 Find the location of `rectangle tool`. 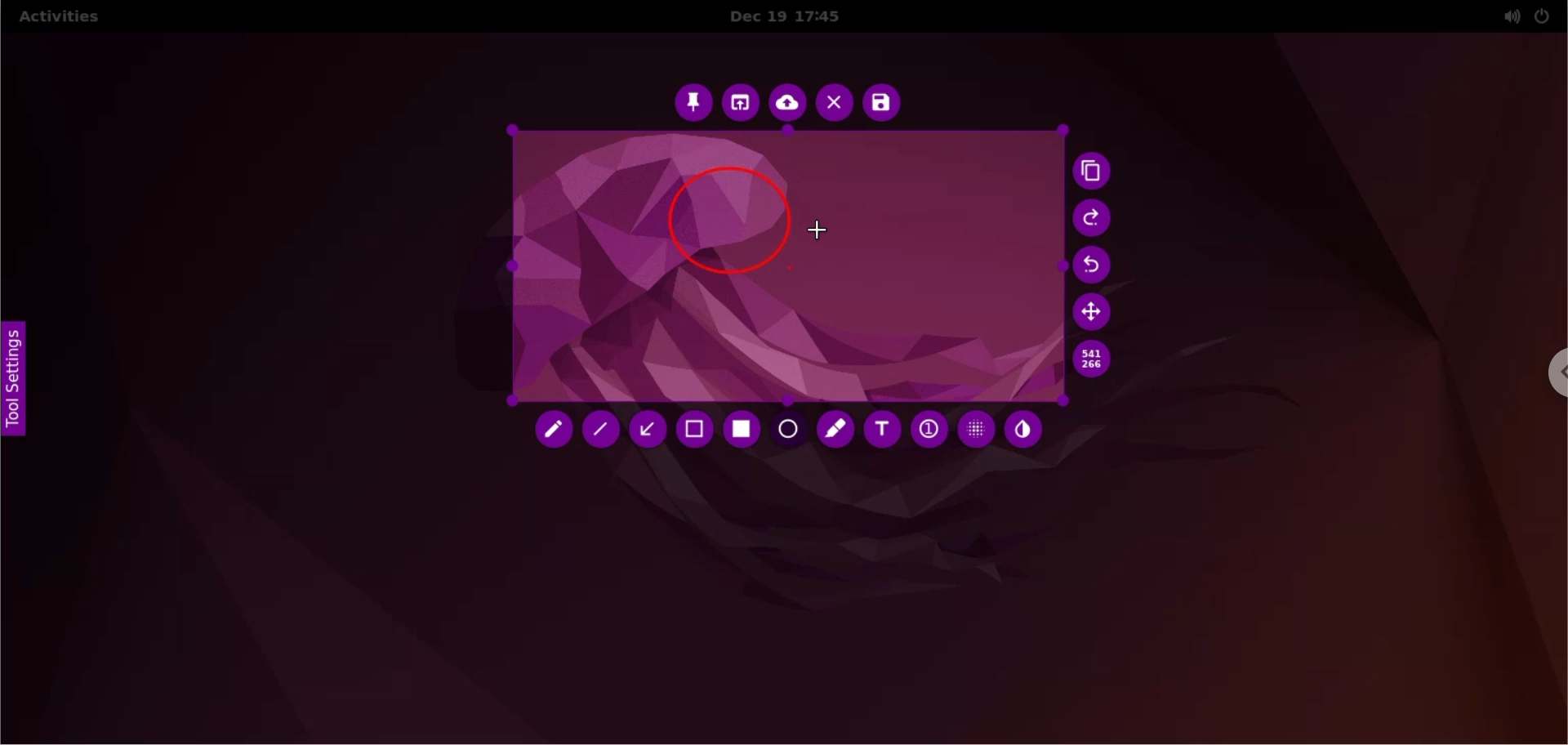

rectangle tool is located at coordinates (744, 430).